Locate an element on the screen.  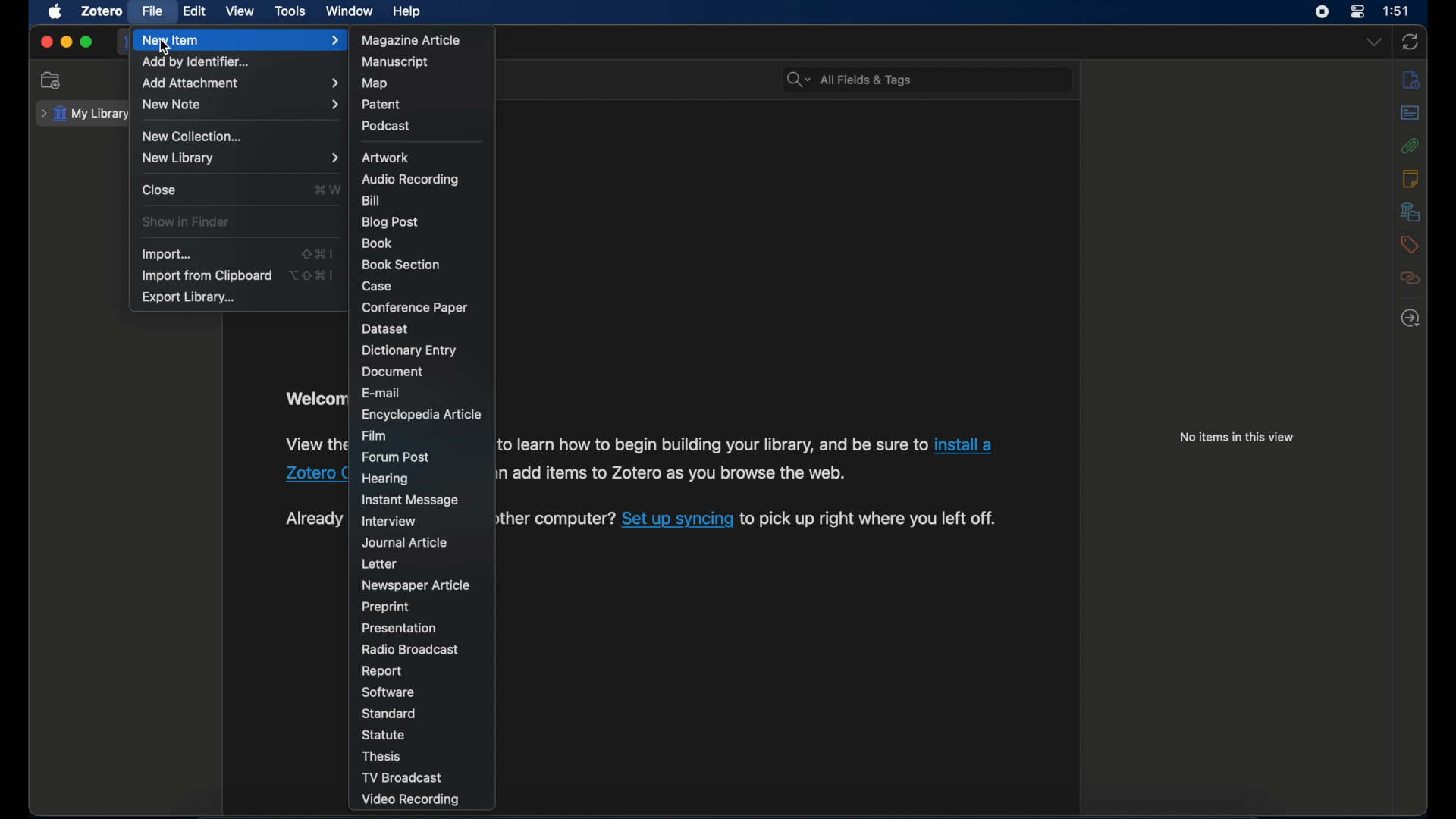
e-mail is located at coordinates (383, 394).